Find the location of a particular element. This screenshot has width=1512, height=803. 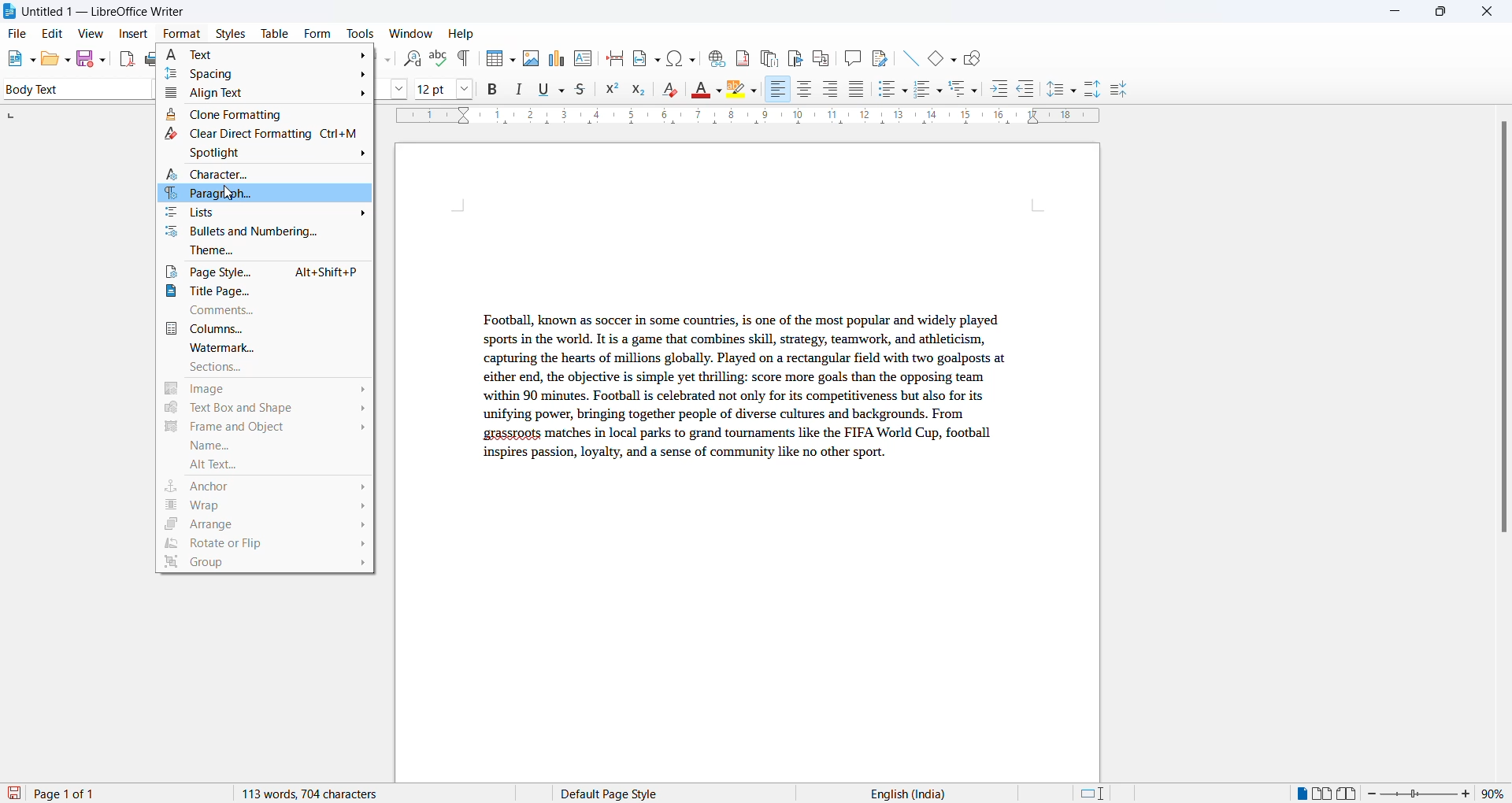

maximize is located at coordinates (1440, 13).